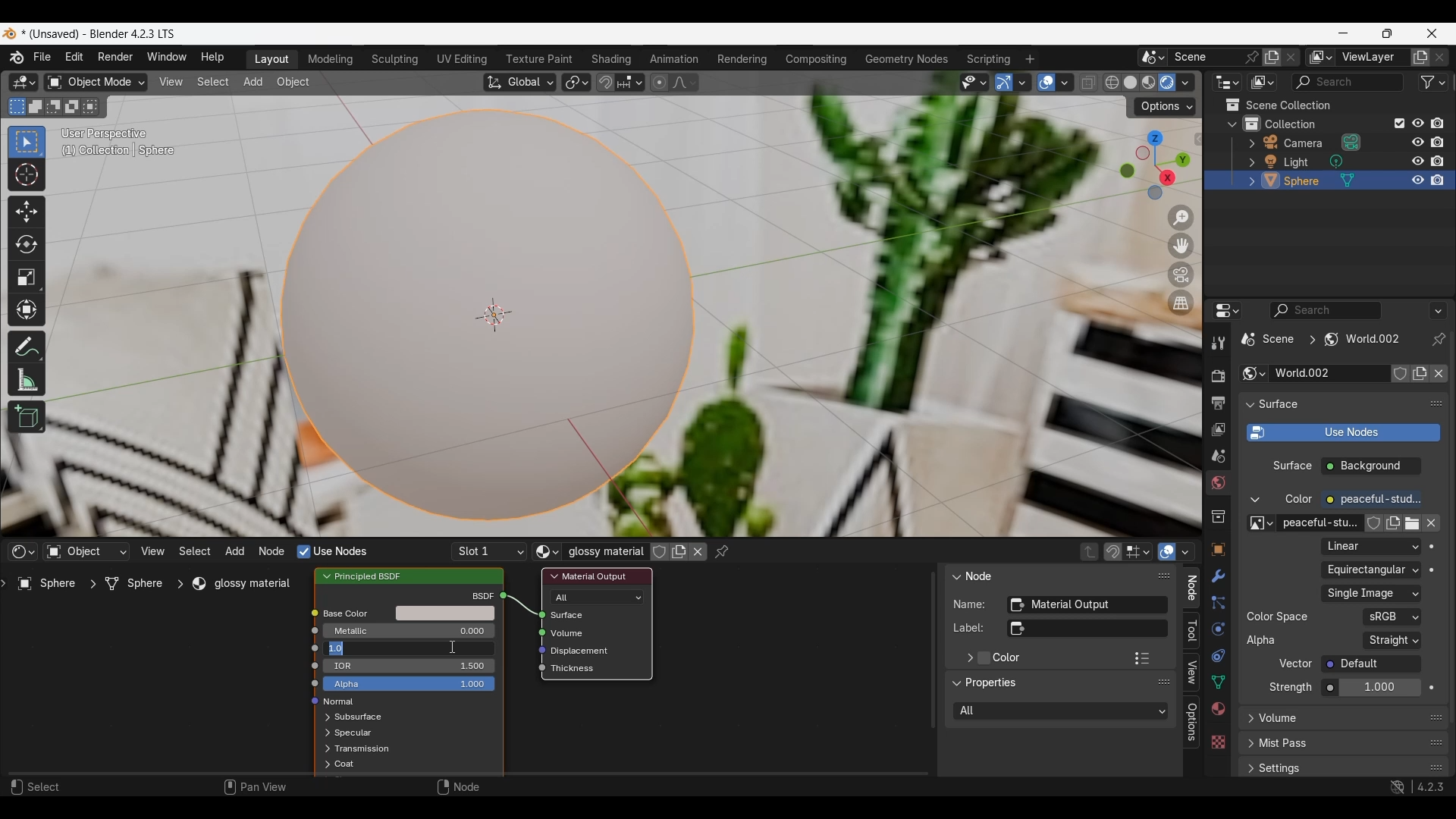 This screenshot has width=1456, height=819. I want to click on Output properties, so click(1216, 403).